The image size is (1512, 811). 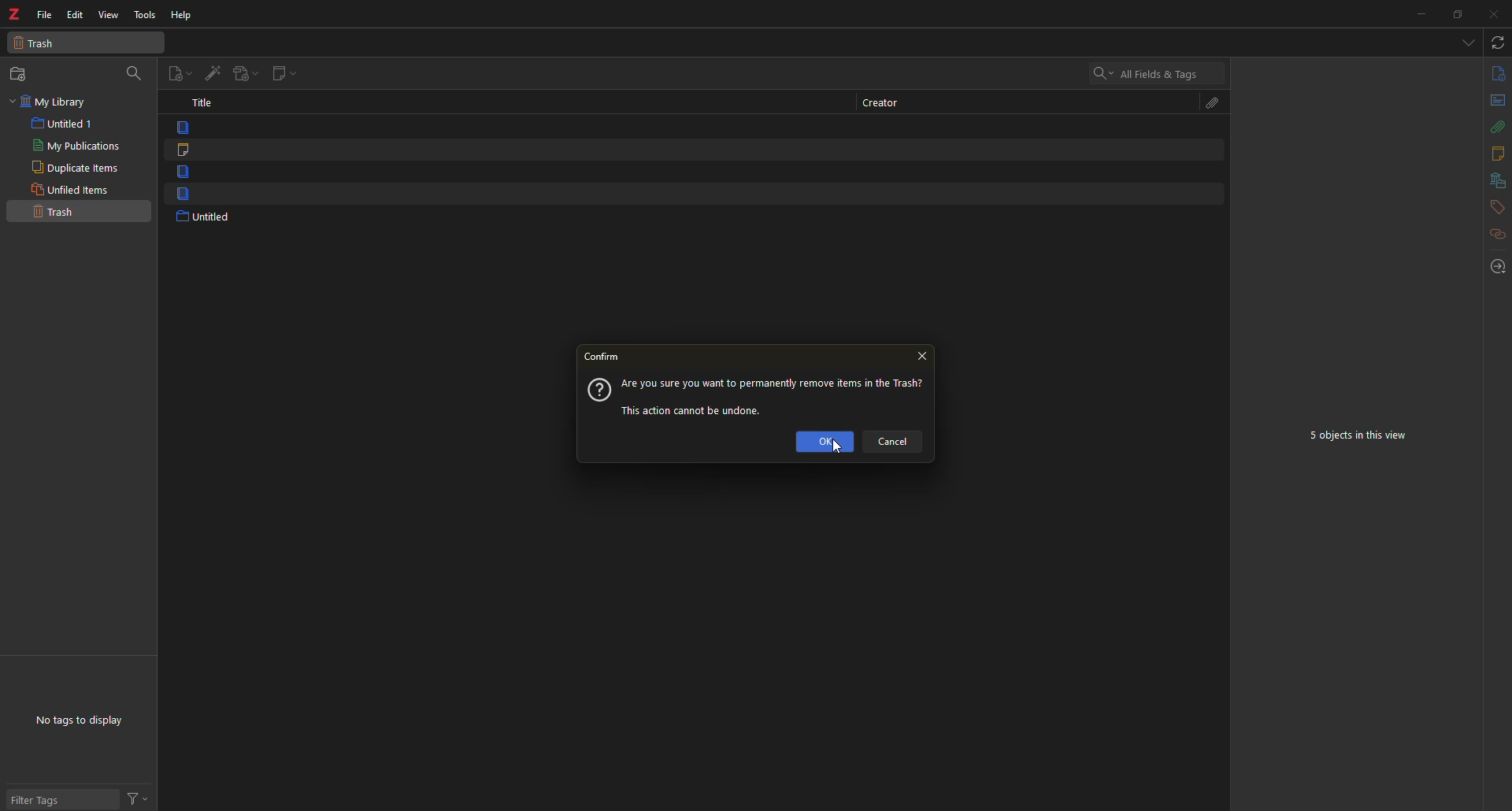 What do you see at coordinates (73, 189) in the screenshot?
I see `unfiled items` at bounding box center [73, 189].